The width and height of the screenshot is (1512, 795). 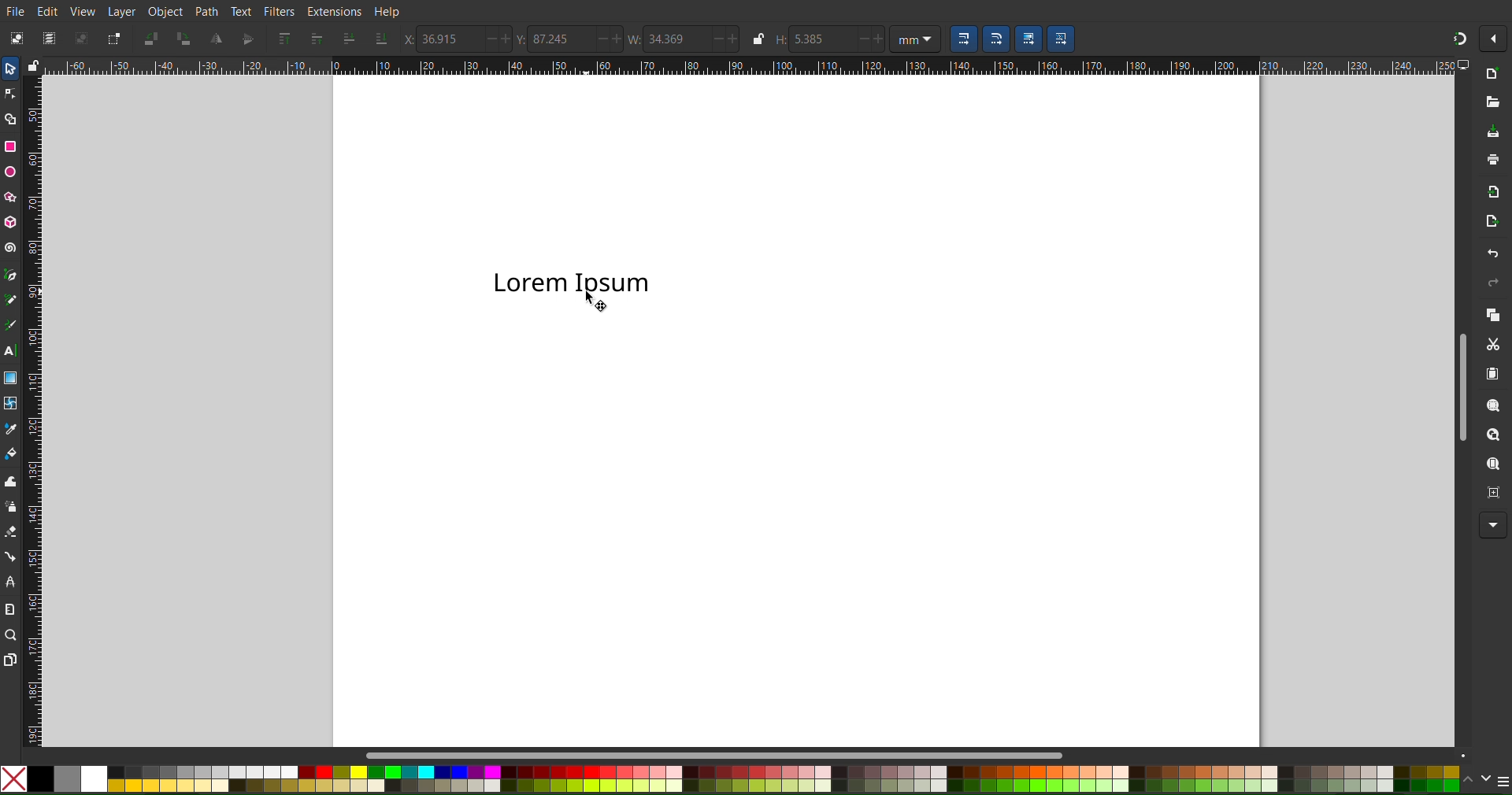 What do you see at coordinates (10, 172) in the screenshot?
I see `Ellipse` at bounding box center [10, 172].